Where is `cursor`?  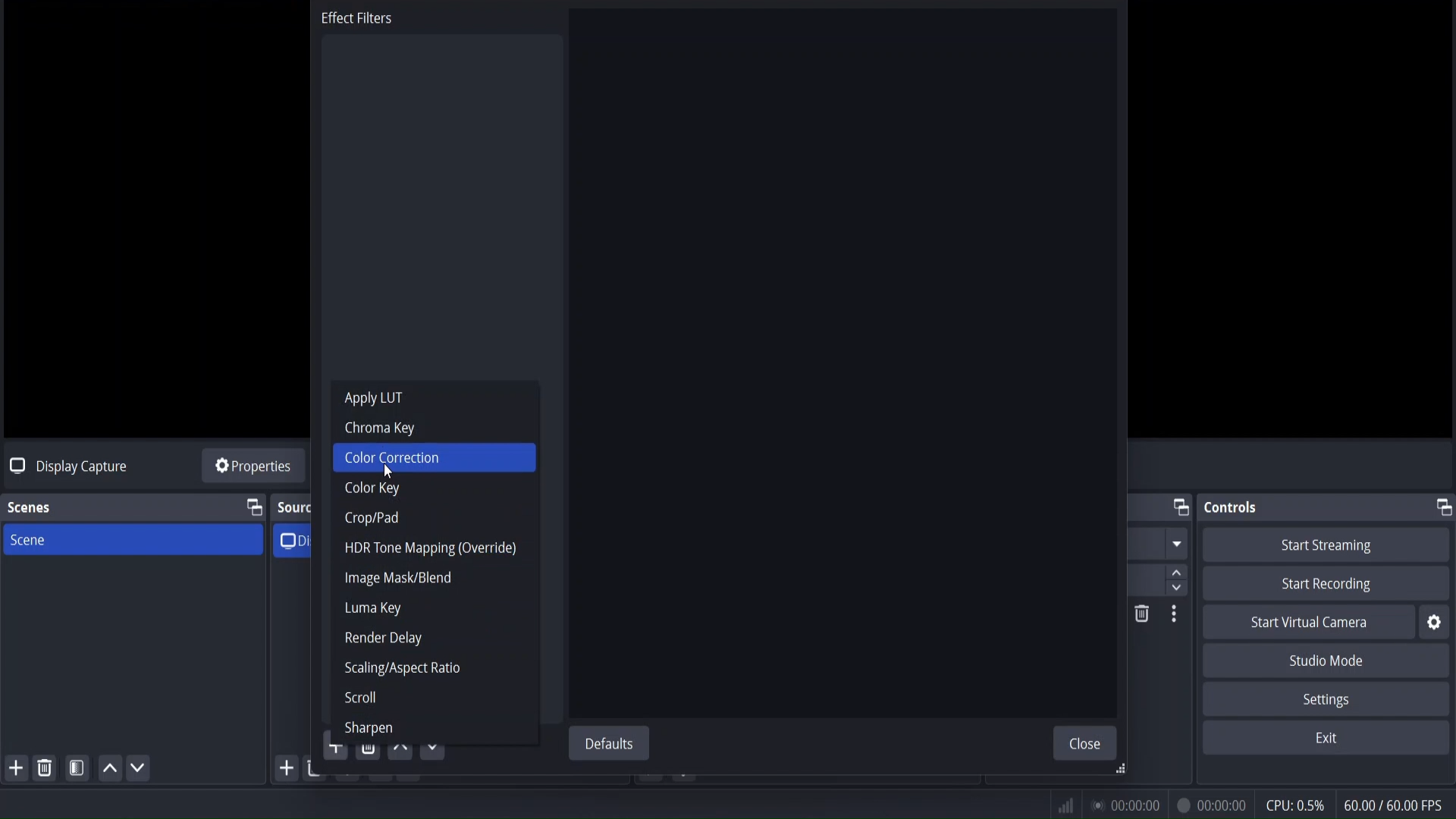
cursor is located at coordinates (386, 472).